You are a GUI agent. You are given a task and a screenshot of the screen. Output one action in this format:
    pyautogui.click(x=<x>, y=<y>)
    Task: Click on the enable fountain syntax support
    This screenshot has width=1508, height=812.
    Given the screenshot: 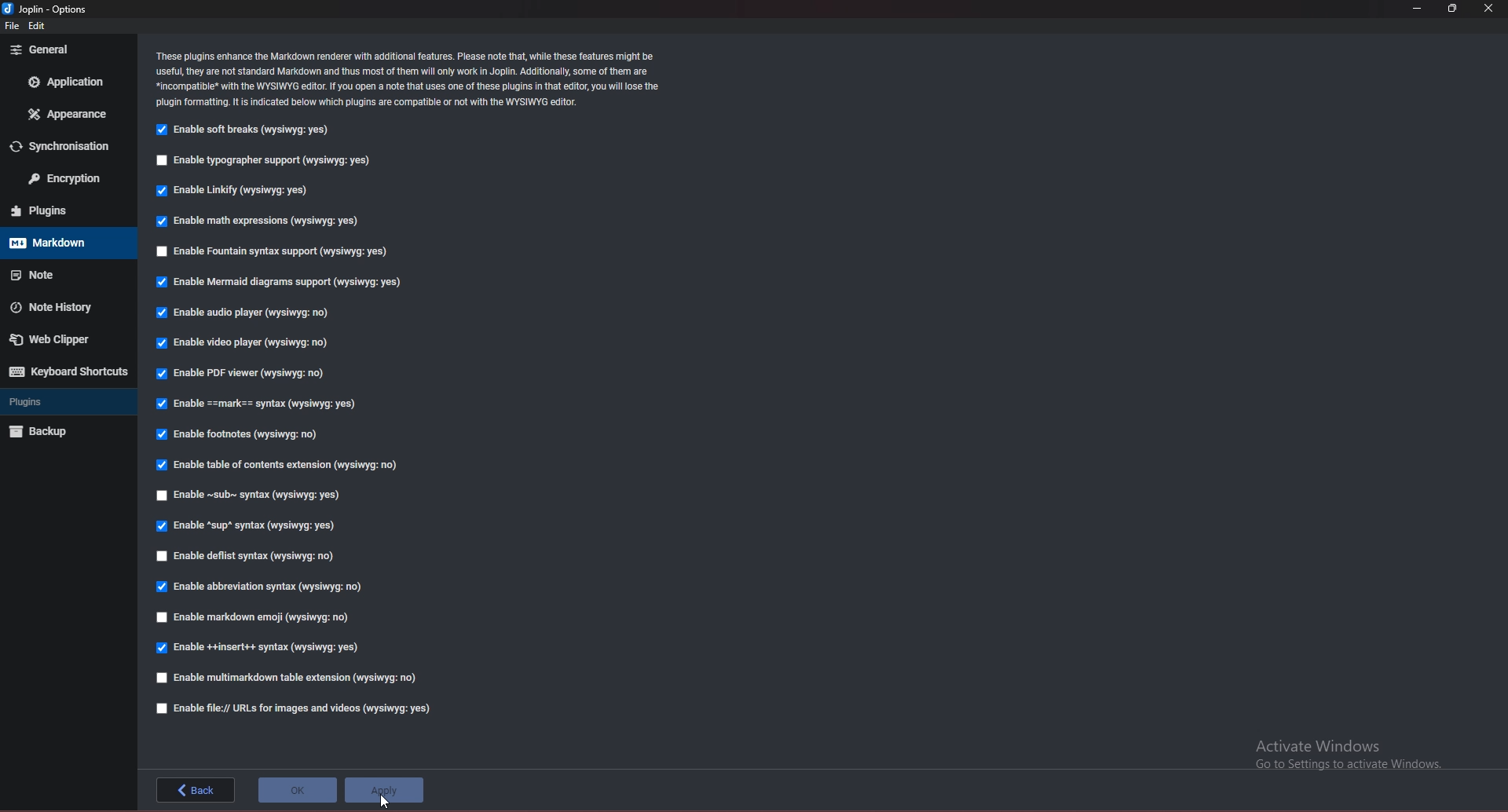 What is the action you would take?
    pyautogui.click(x=267, y=251)
    